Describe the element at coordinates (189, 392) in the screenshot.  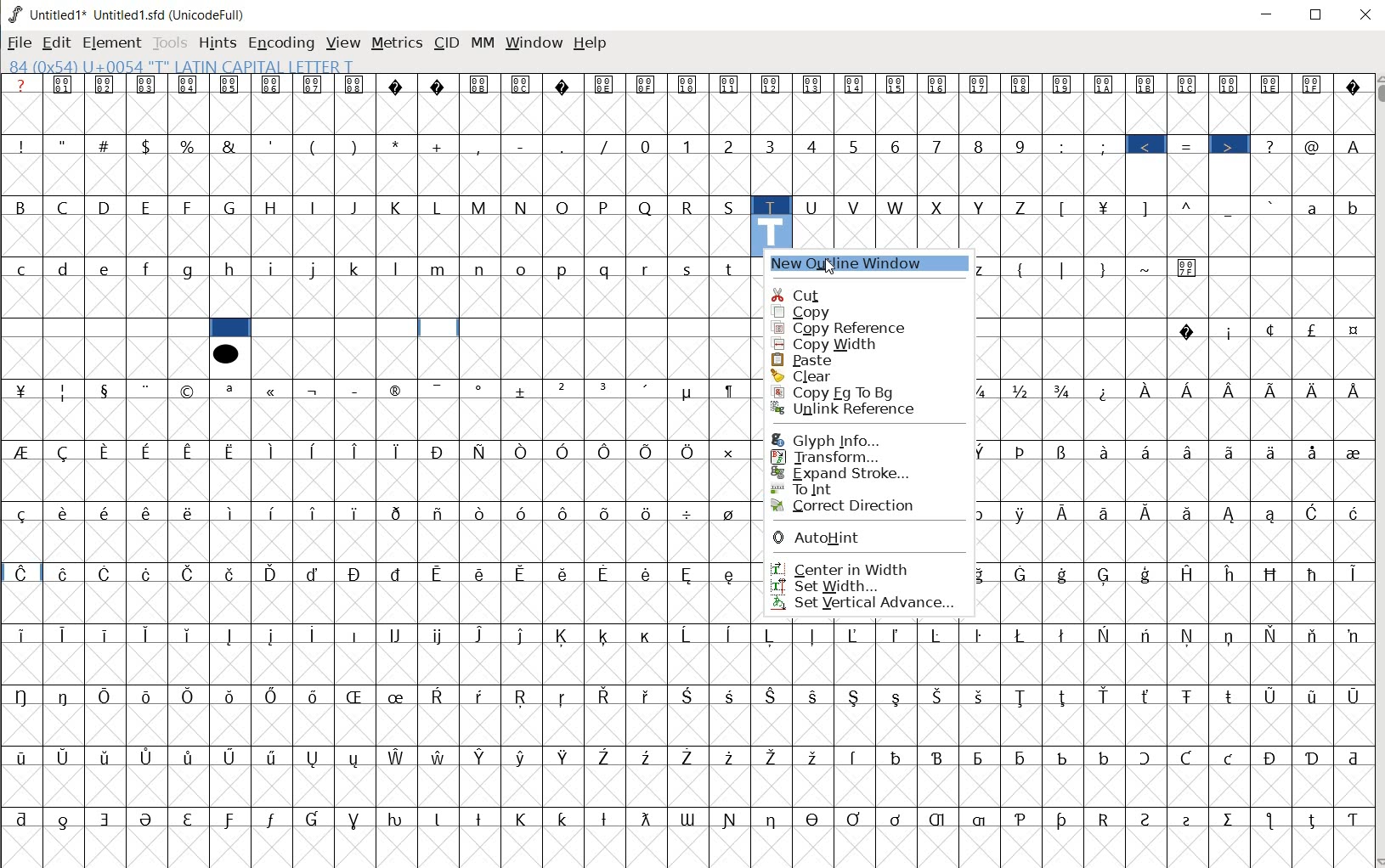
I see `Symbol` at that location.